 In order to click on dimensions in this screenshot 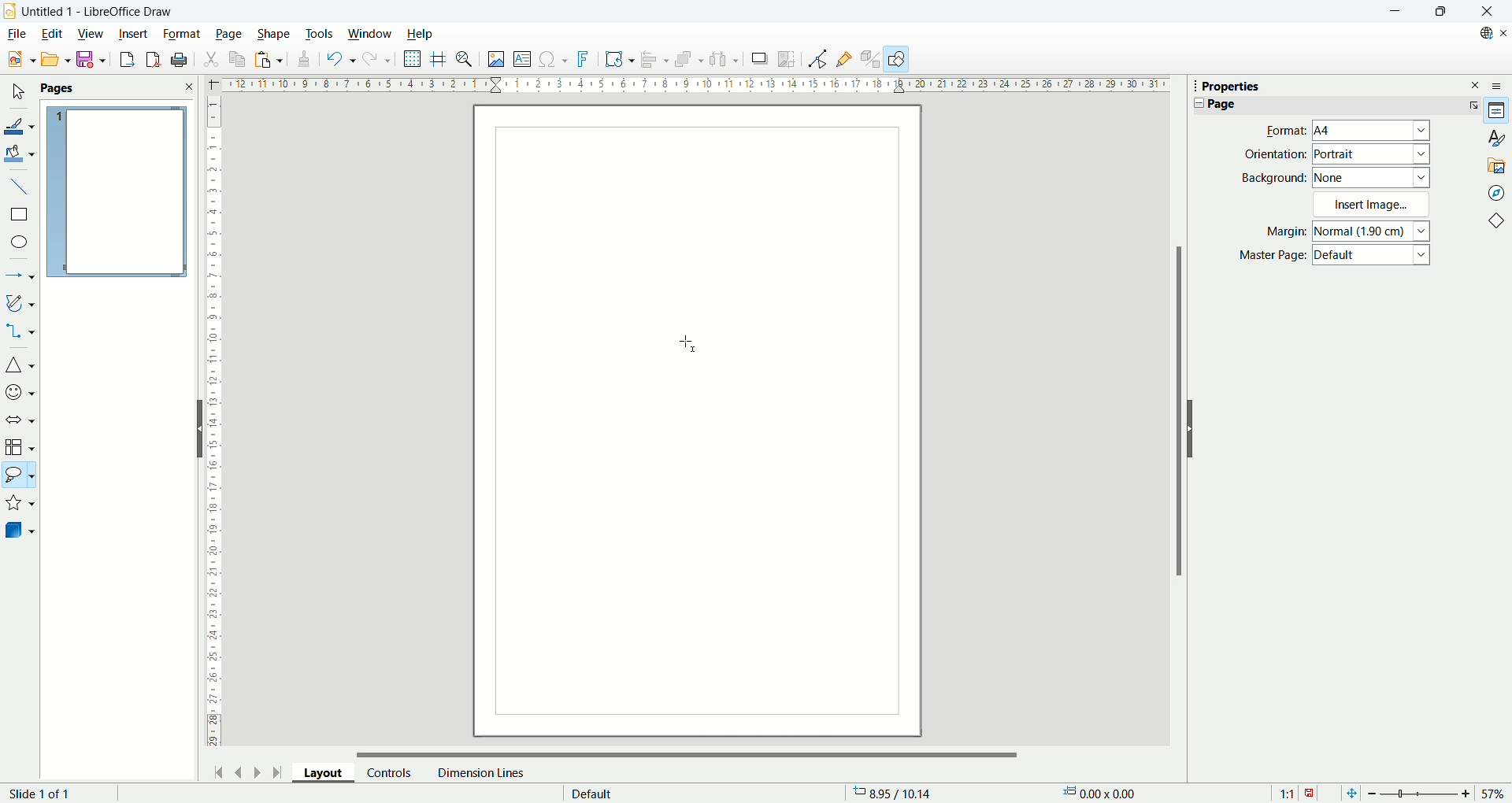, I will do `click(1105, 793)`.